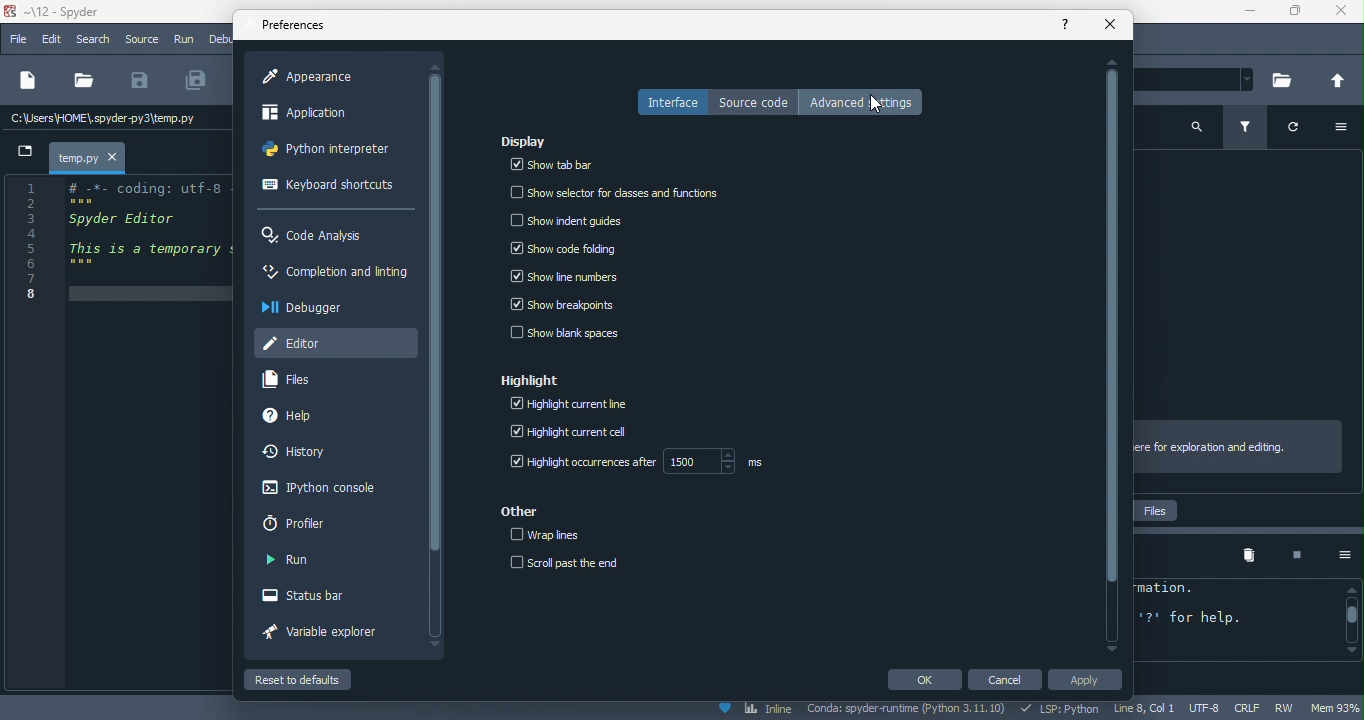  I want to click on vertical scroll bar, so click(1112, 354).